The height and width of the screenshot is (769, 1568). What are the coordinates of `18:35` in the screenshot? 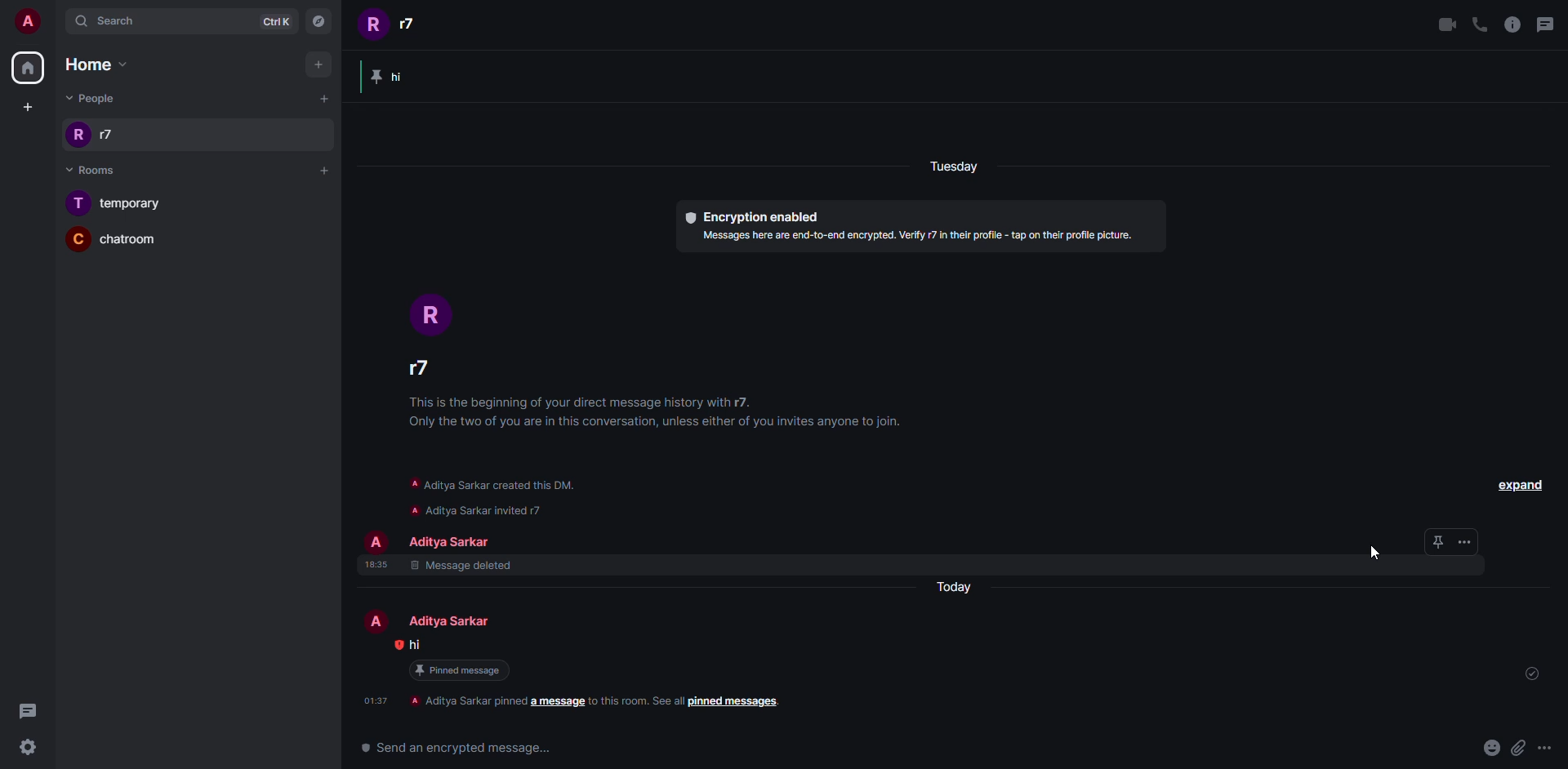 It's located at (372, 567).